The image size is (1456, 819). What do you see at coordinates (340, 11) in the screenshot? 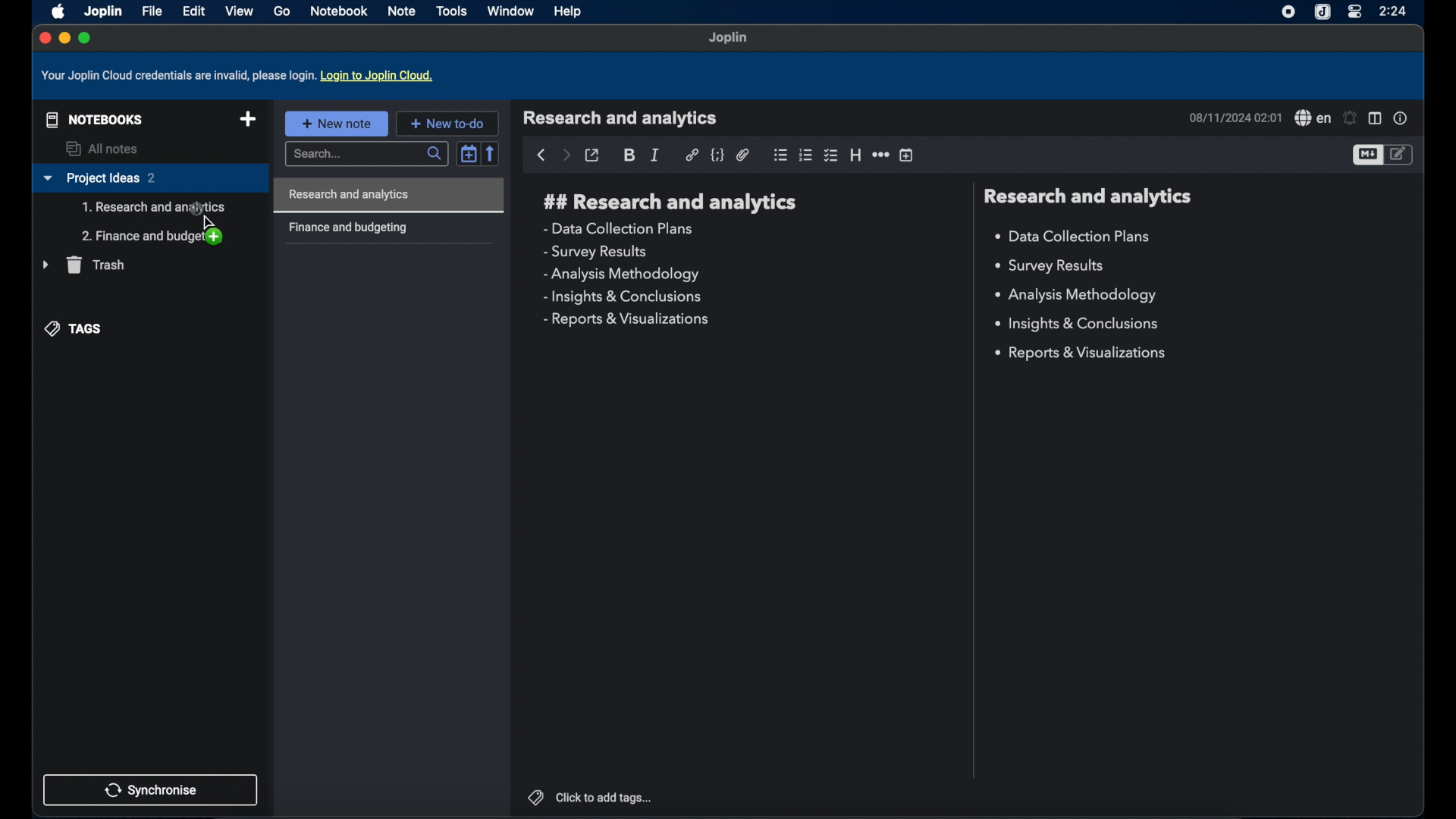
I see `notebook` at bounding box center [340, 11].